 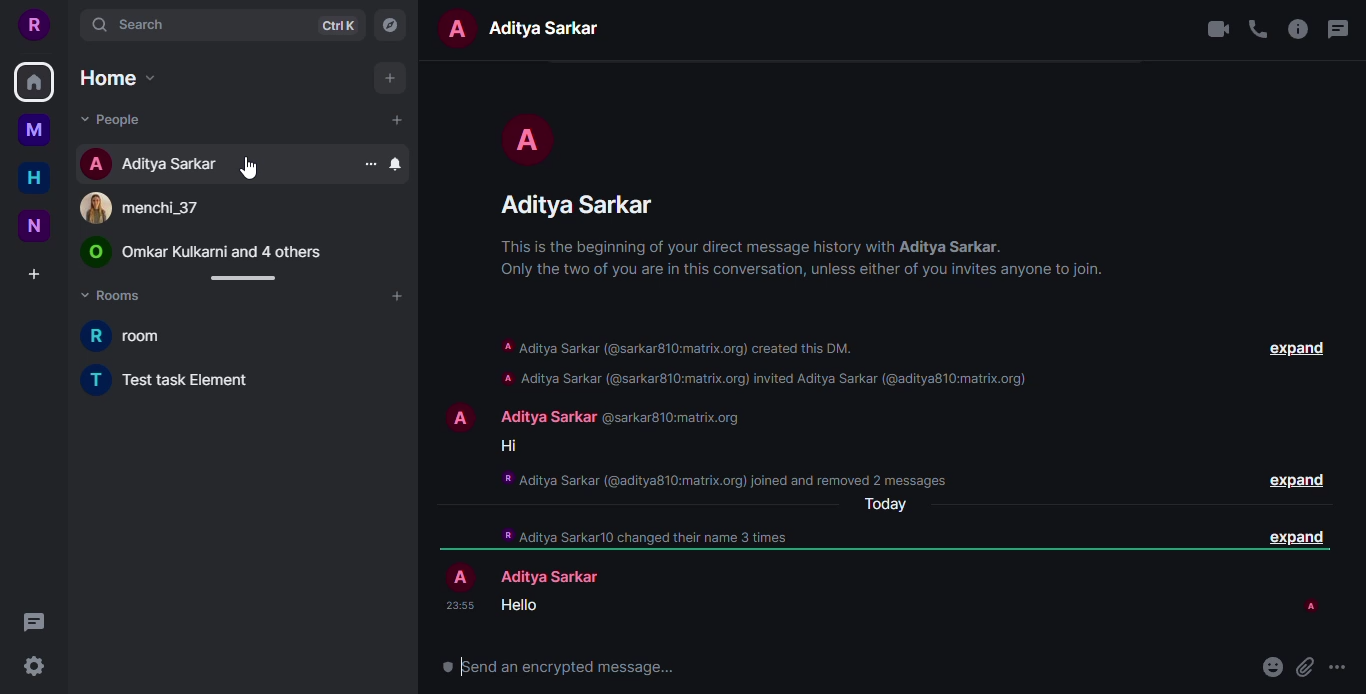 What do you see at coordinates (1341, 28) in the screenshot?
I see `threads` at bounding box center [1341, 28].